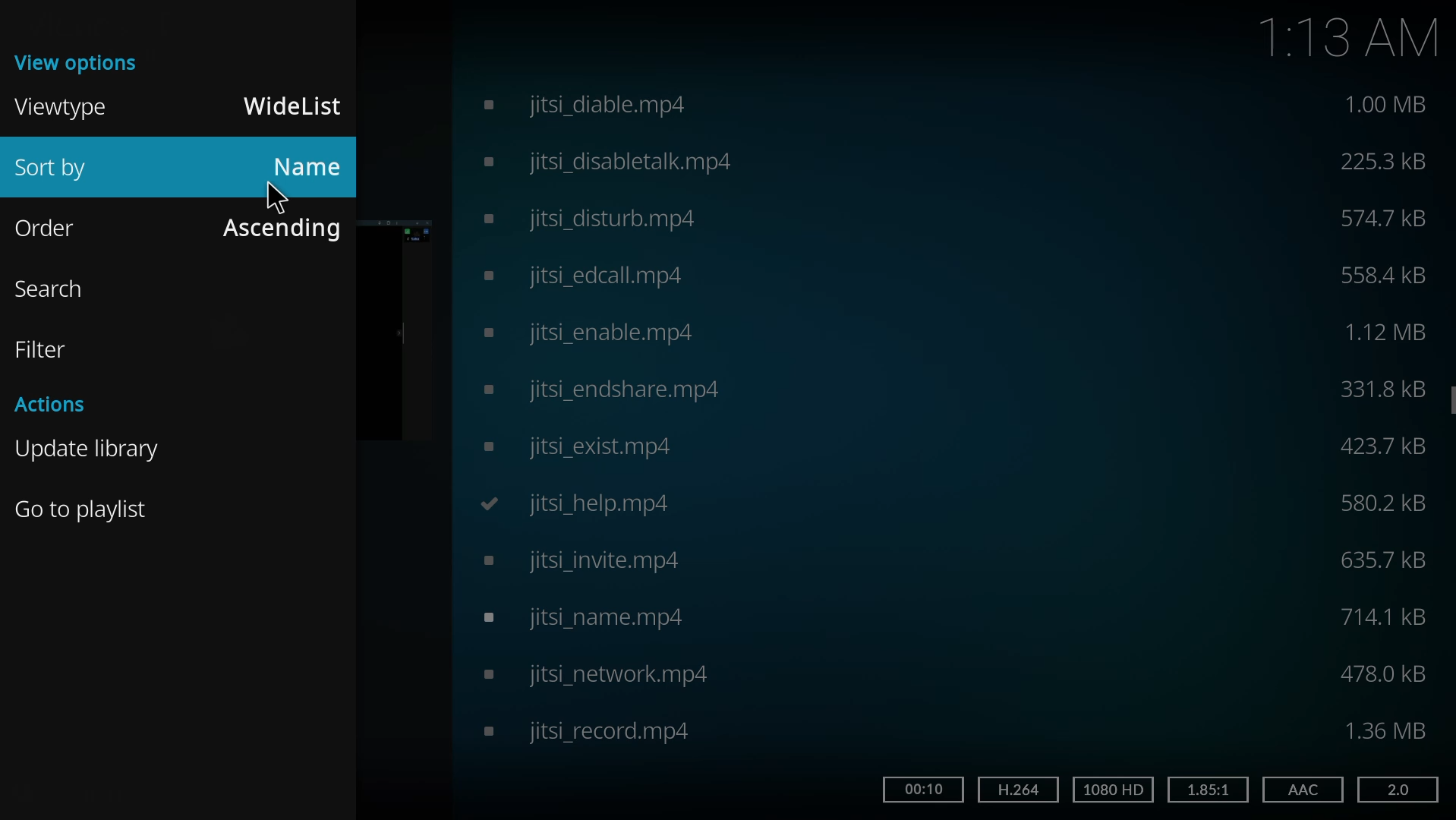  Describe the element at coordinates (61, 406) in the screenshot. I see `actions` at that location.